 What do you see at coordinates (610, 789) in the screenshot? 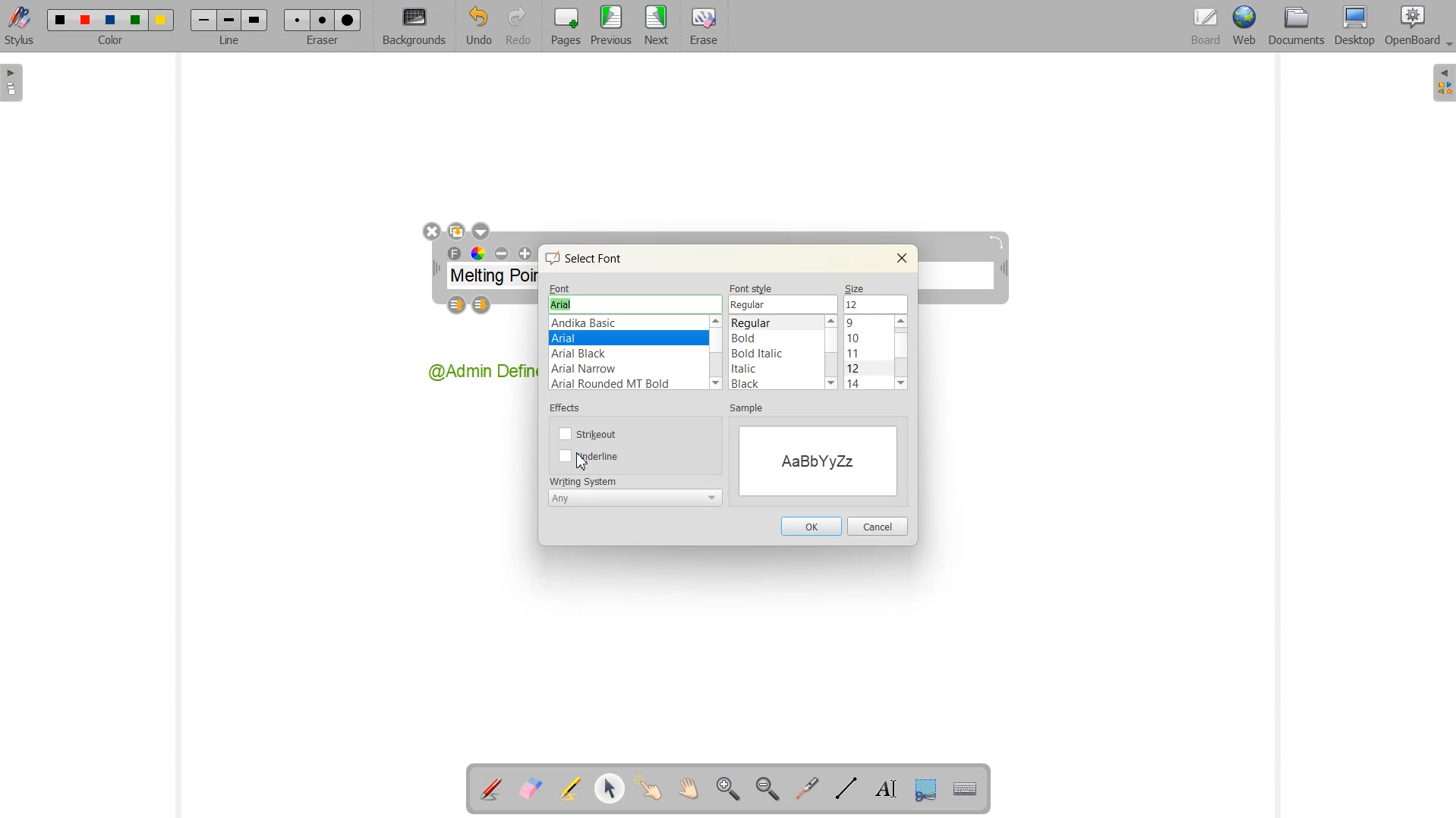
I see `Select and modify object` at bounding box center [610, 789].